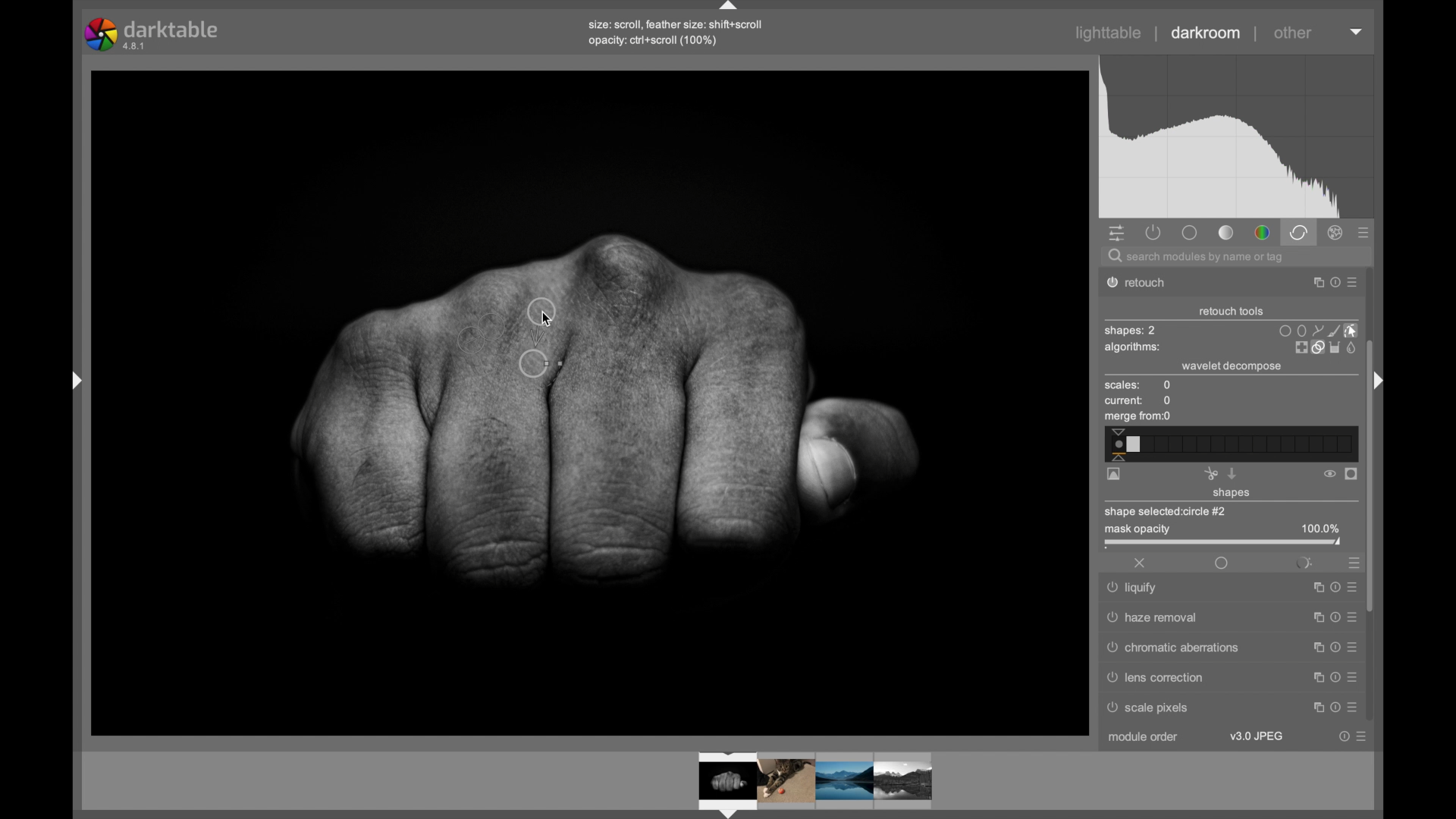 The width and height of the screenshot is (1456, 819). What do you see at coordinates (1314, 646) in the screenshot?
I see `maximize` at bounding box center [1314, 646].